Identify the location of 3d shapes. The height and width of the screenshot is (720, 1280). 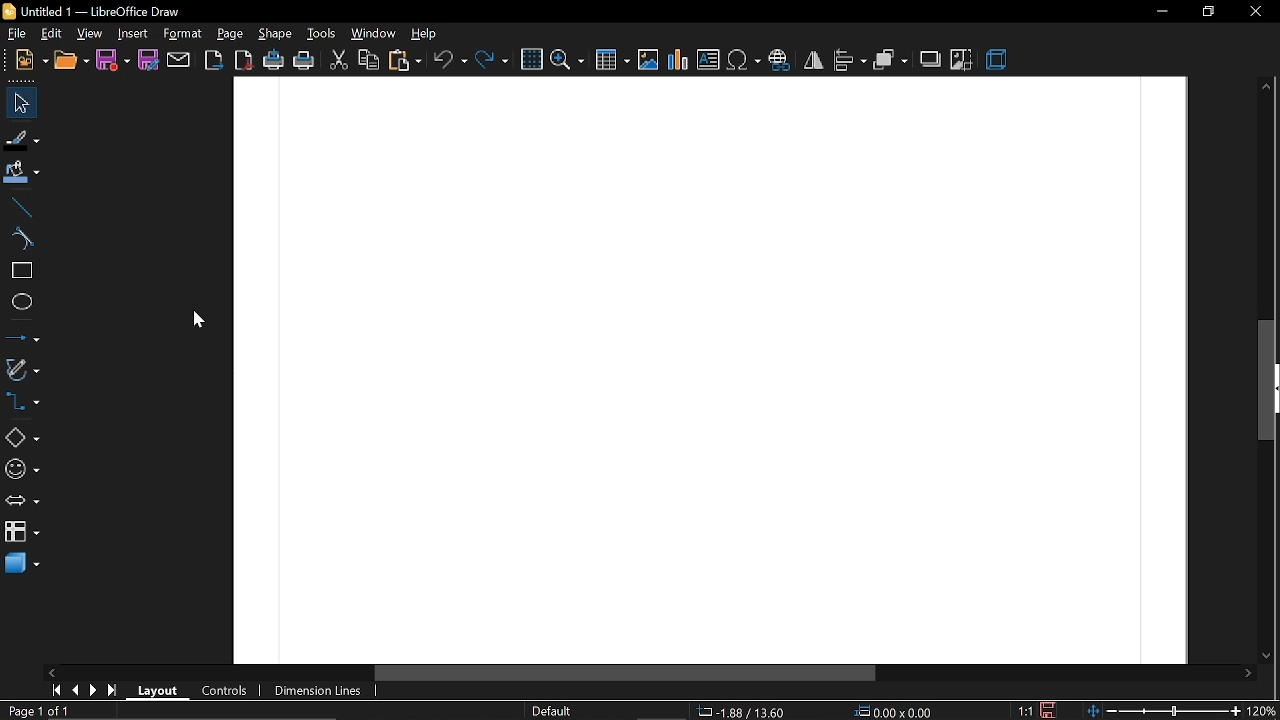
(19, 564).